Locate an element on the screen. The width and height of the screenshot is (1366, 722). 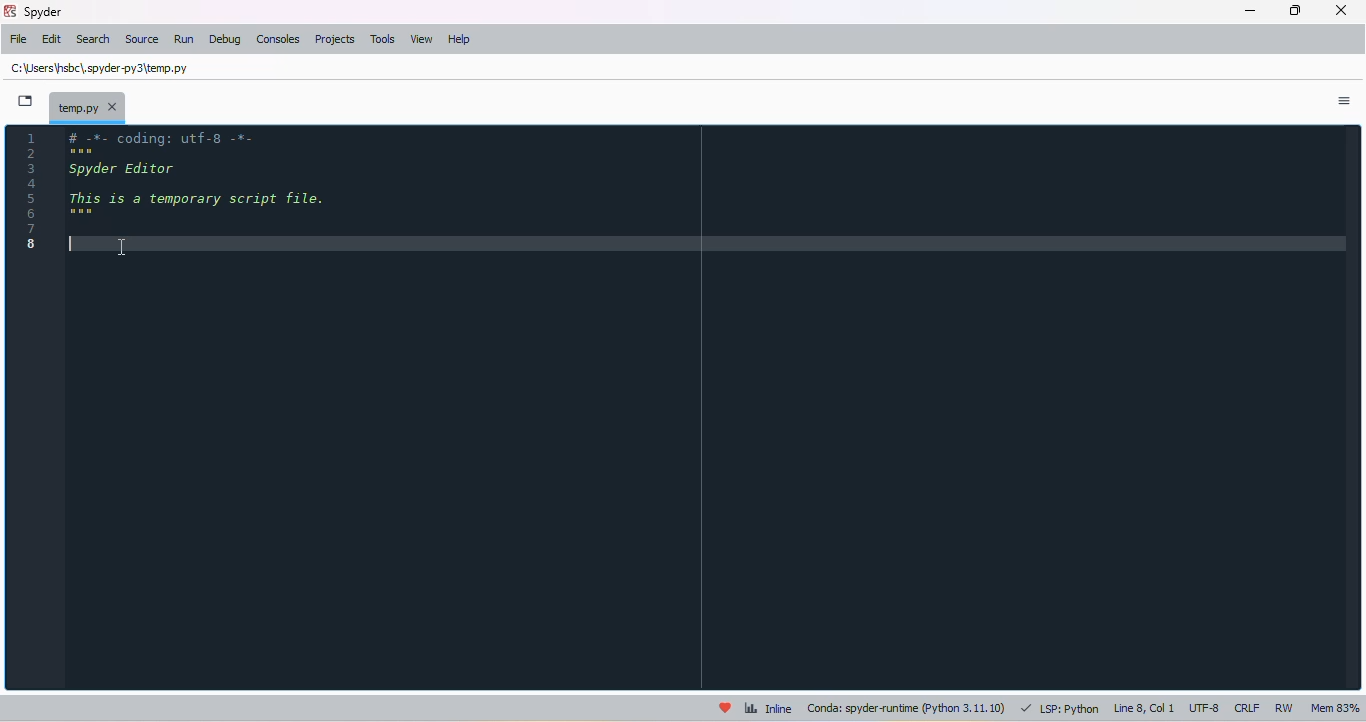
help spyder! is located at coordinates (725, 707).